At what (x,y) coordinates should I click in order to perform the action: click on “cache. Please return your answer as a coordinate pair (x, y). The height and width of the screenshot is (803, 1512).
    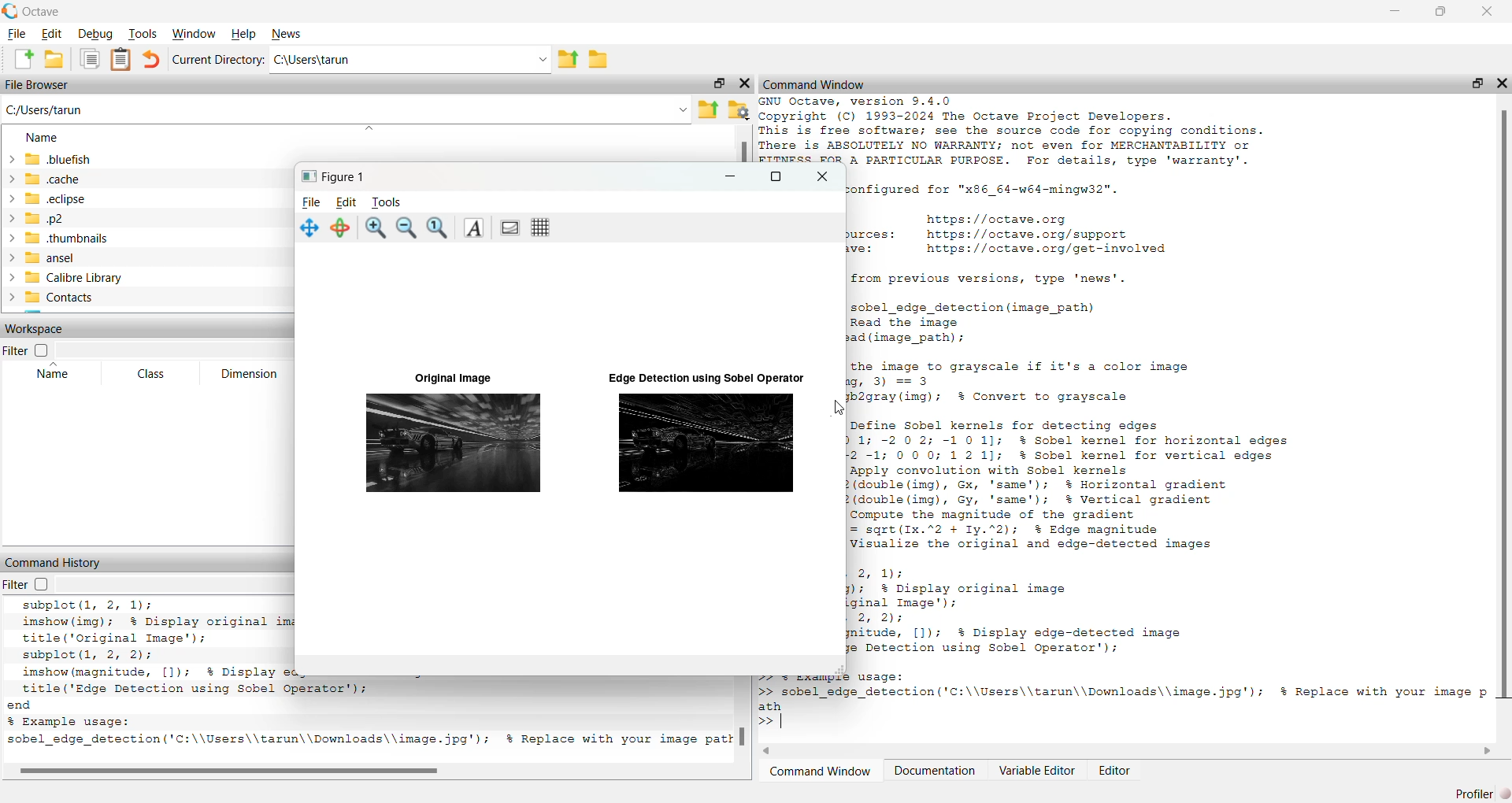
    Looking at the image, I should click on (46, 179).